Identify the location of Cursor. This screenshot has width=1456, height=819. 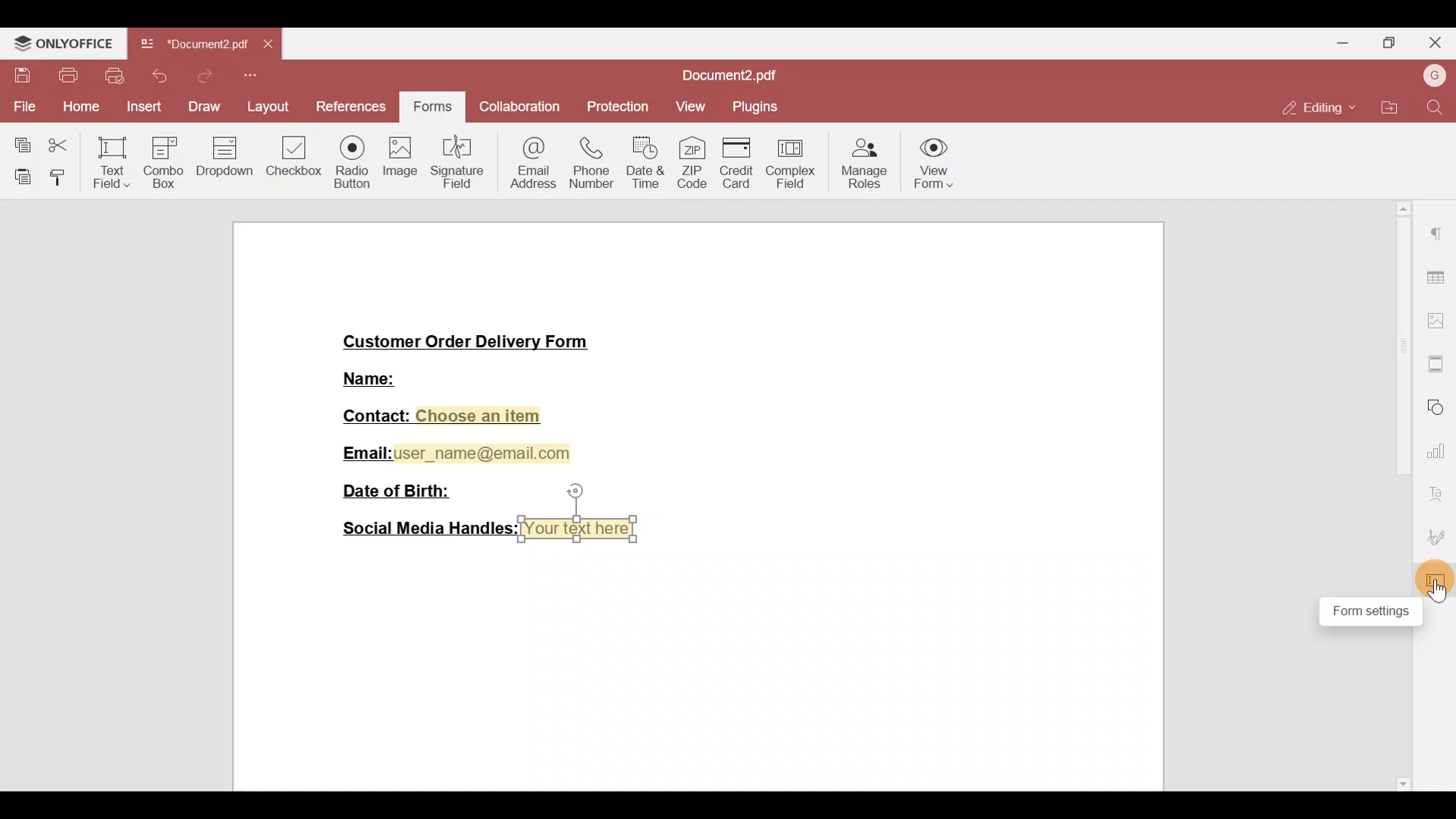
(1439, 593).